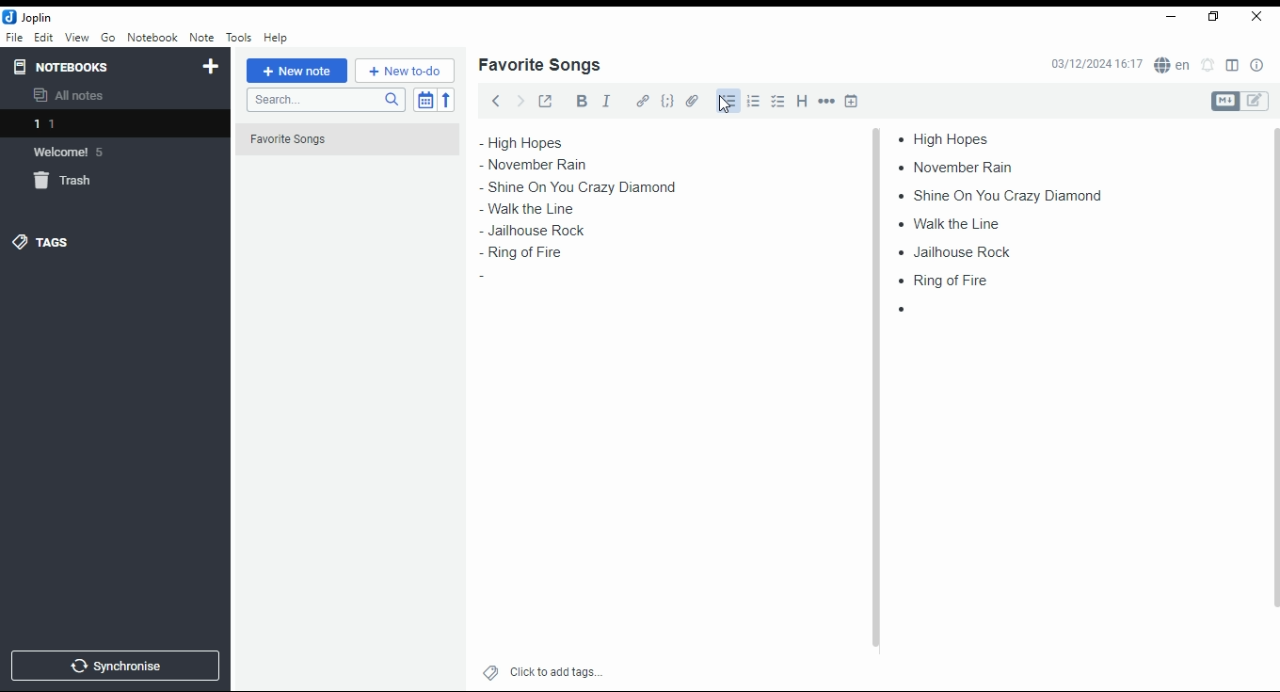 This screenshot has height=692, width=1280. What do you see at coordinates (524, 254) in the screenshot?
I see `ring of fire` at bounding box center [524, 254].